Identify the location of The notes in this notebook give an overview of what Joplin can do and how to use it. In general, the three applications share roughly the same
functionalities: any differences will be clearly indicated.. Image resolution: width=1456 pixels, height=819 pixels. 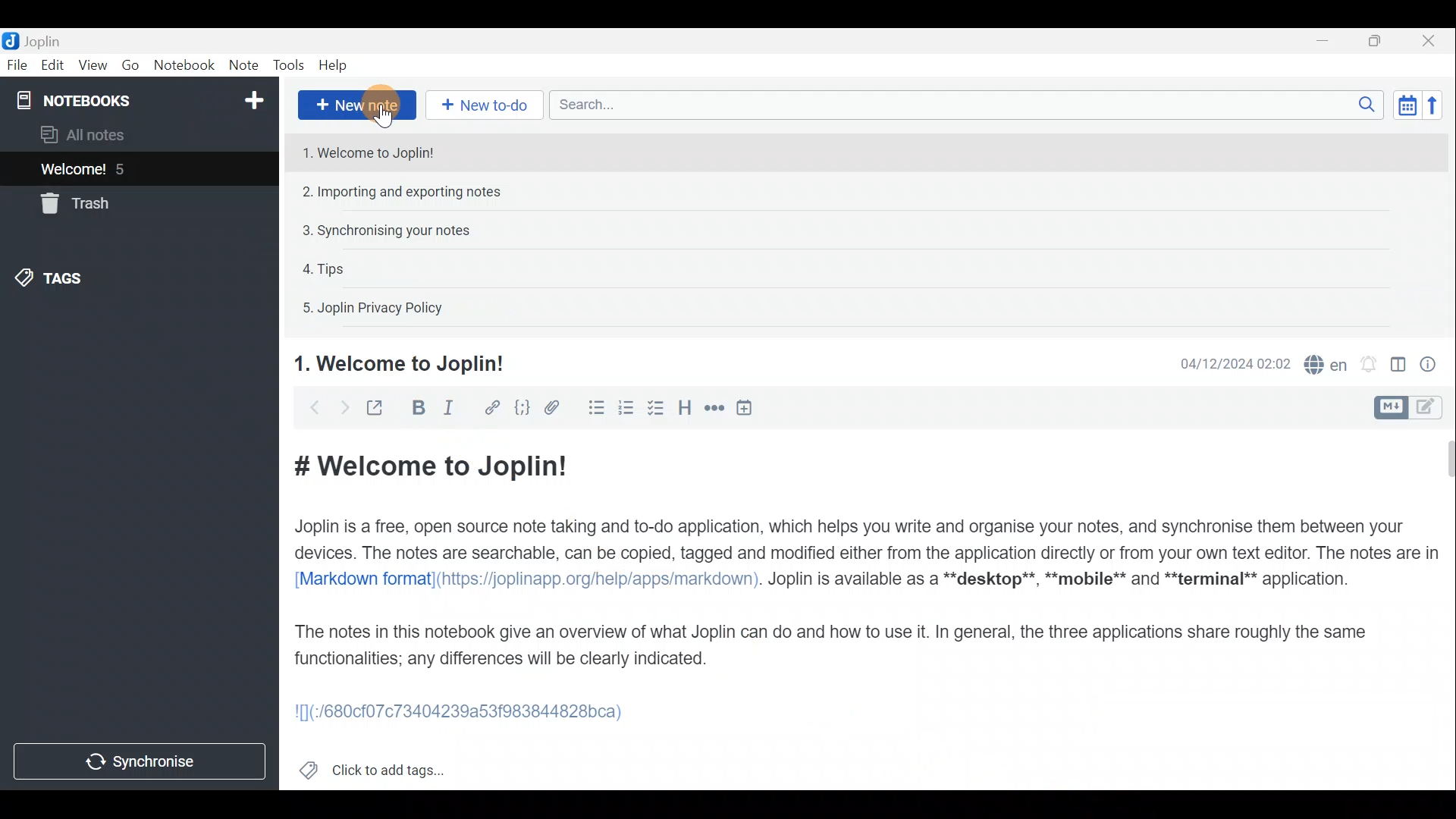
(831, 645).